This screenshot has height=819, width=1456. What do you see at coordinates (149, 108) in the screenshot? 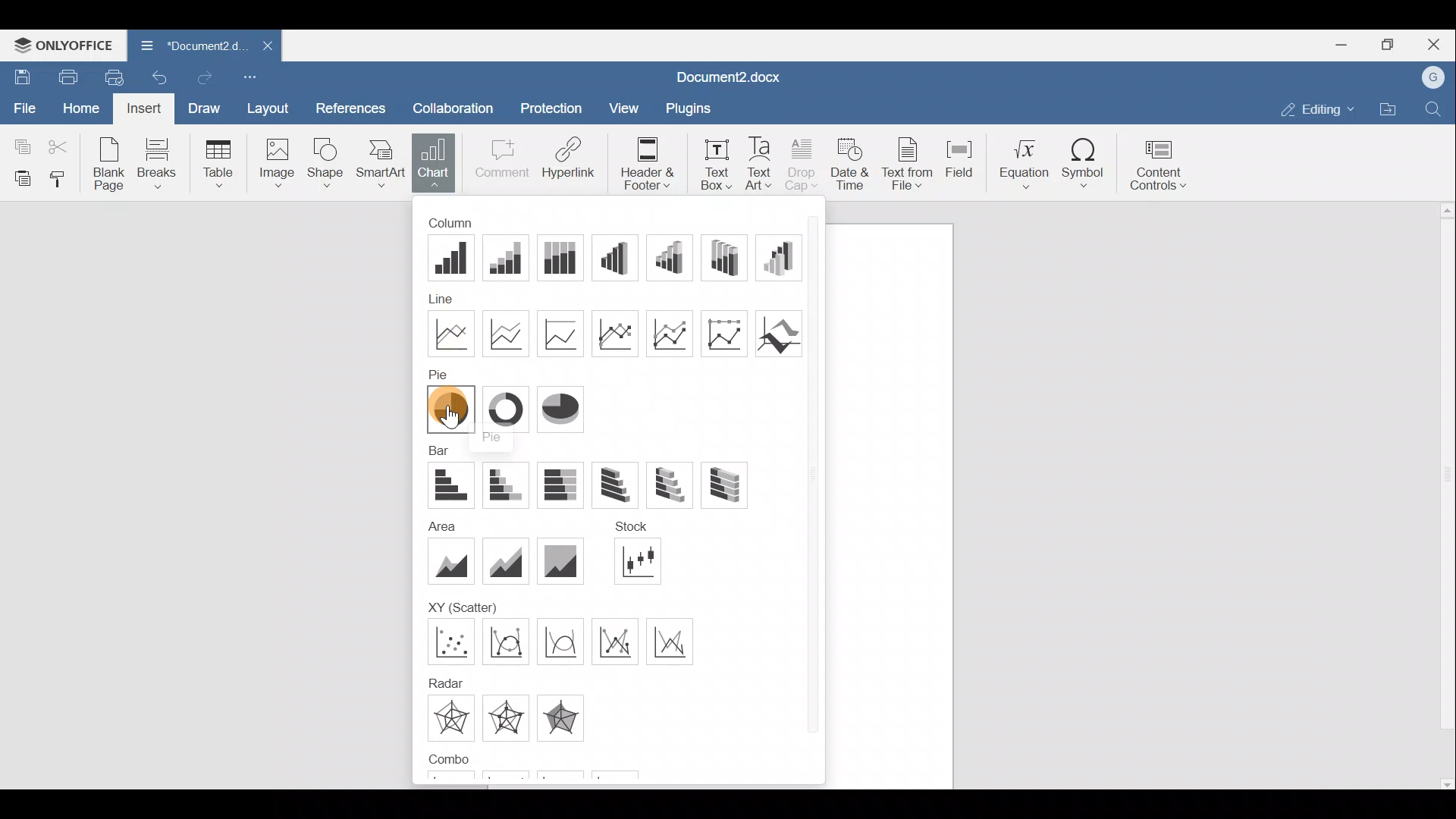
I see `Insert` at bounding box center [149, 108].